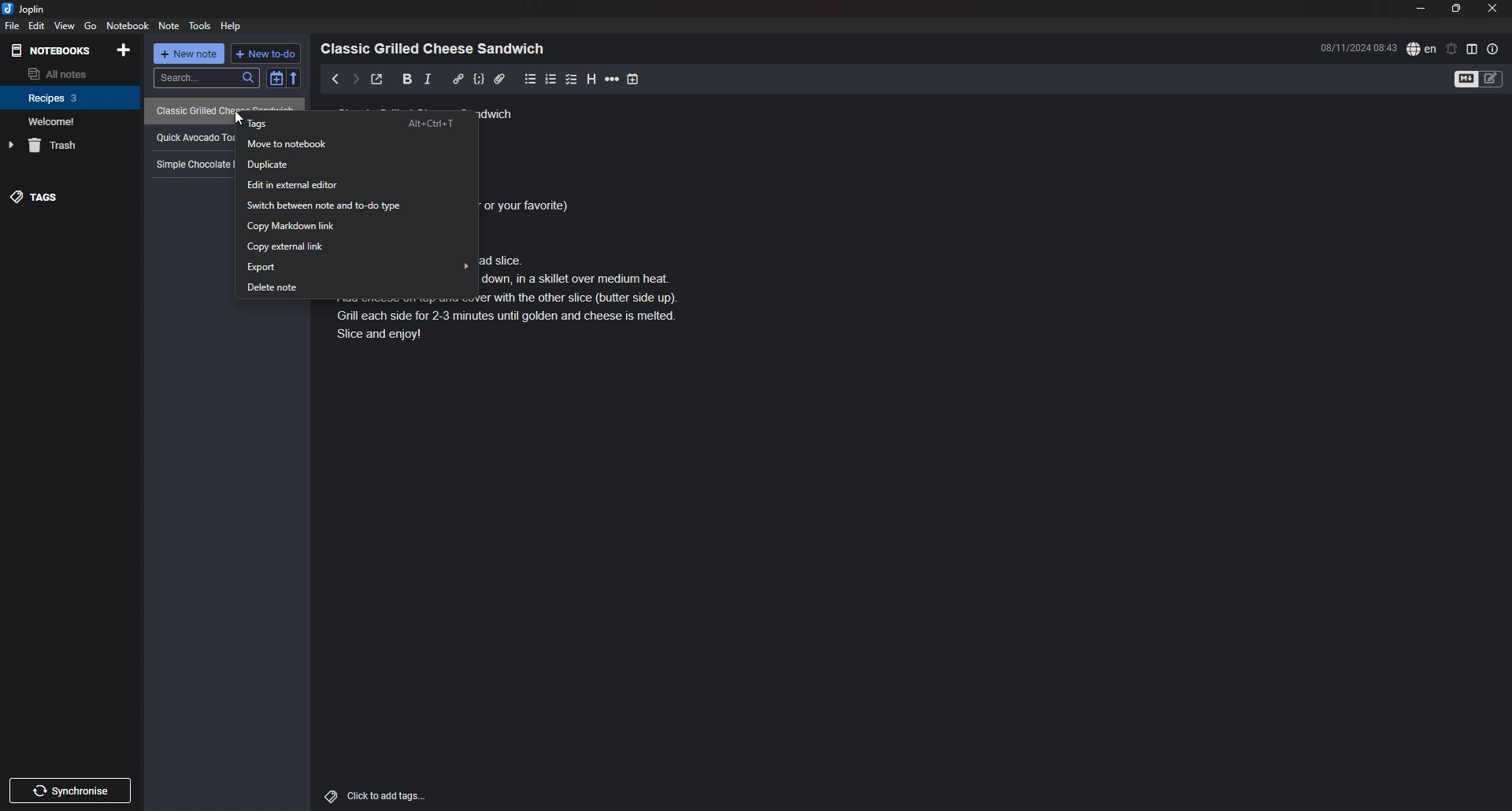  Describe the element at coordinates (358, 185) in the screenshot. I see `edit in external editor` at that location.